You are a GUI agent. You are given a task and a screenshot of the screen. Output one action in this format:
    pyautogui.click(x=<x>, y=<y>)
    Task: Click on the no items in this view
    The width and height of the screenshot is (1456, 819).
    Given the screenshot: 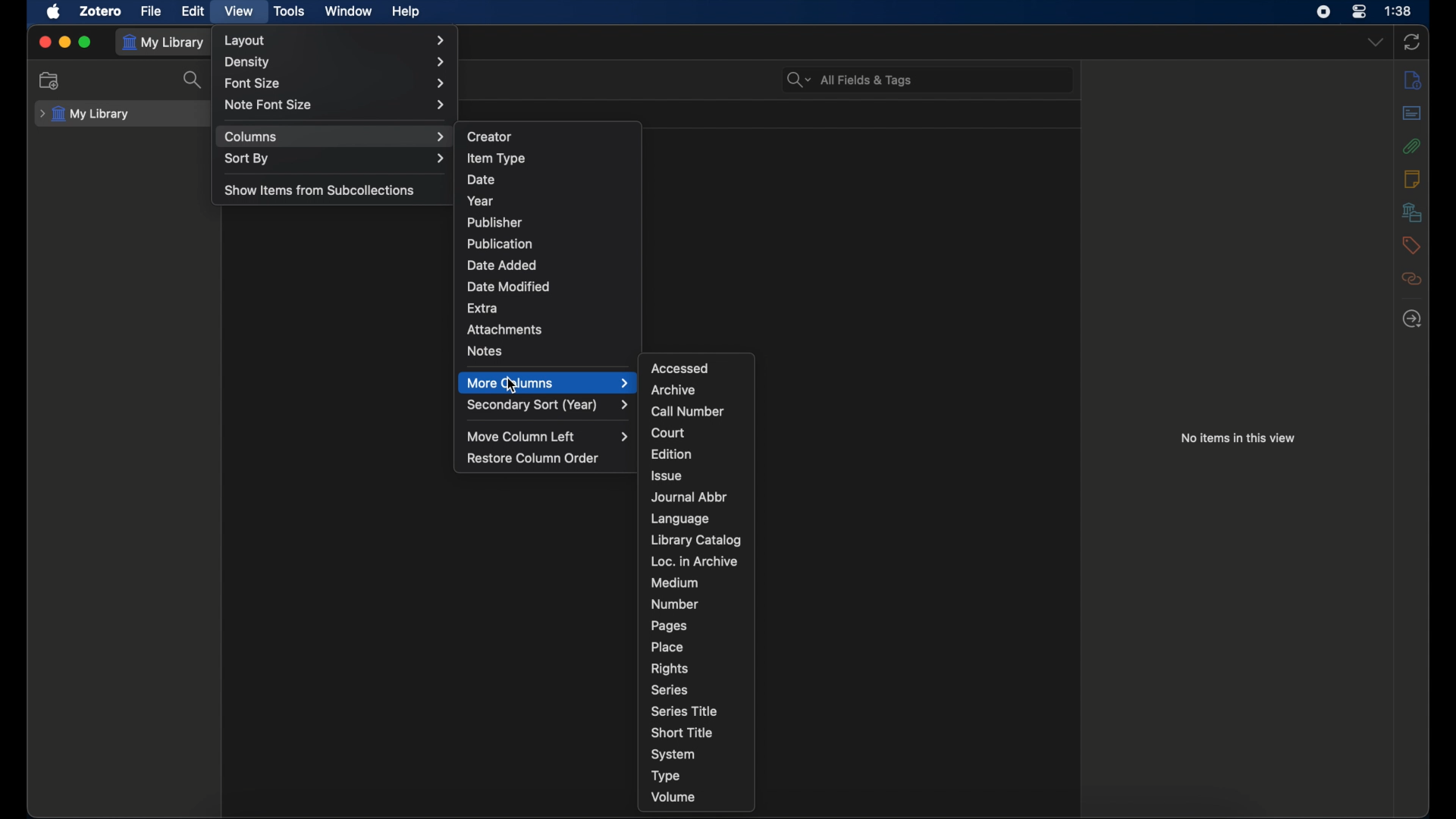 What is the action you would take?
    pyautogui.click(x=1238, y=438)
    